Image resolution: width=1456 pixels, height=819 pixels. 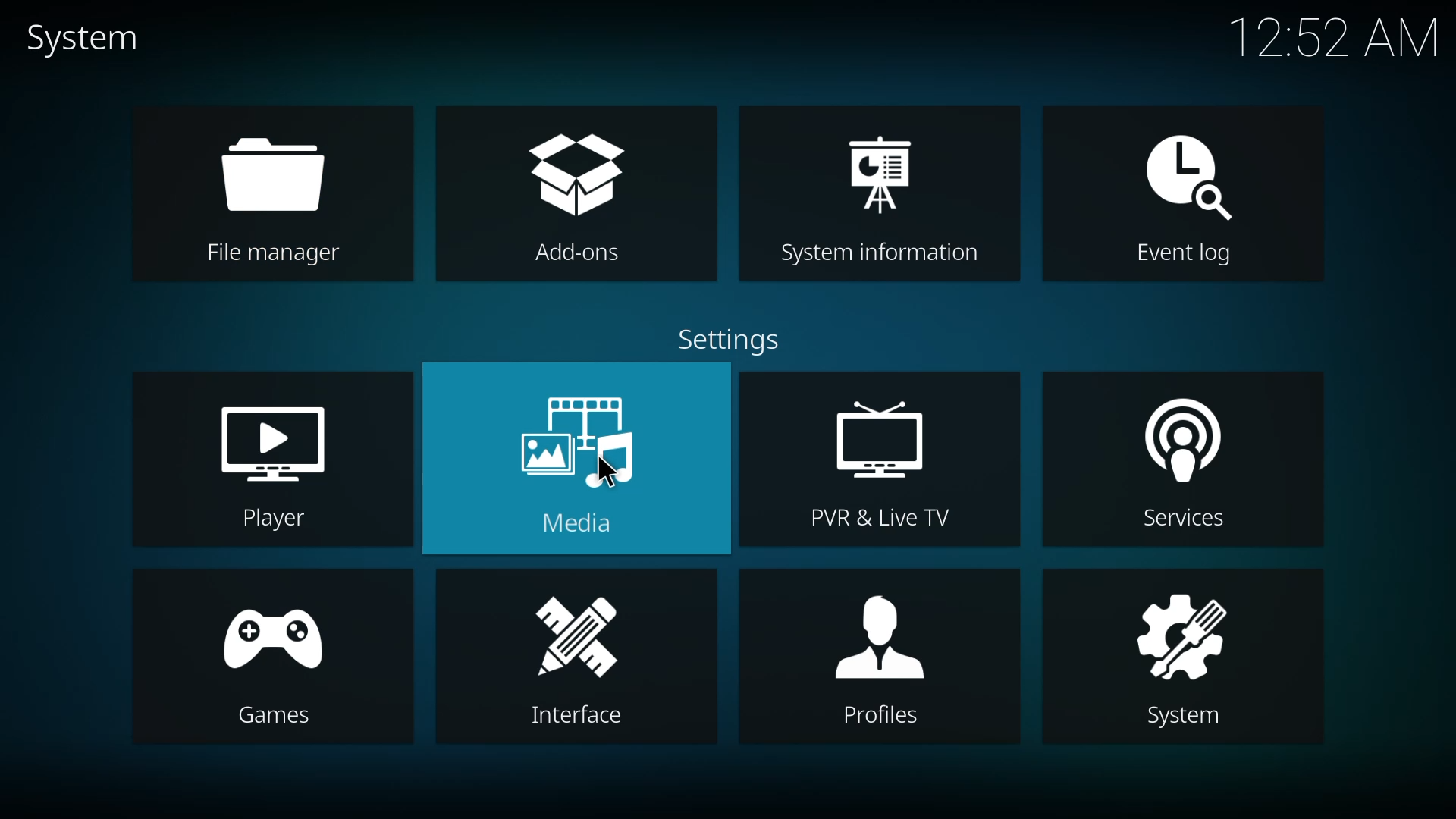 What do you see at coordinates (270, 714) in the screenshot?
I see `[CEINIES` at bounding box center [270, 714].